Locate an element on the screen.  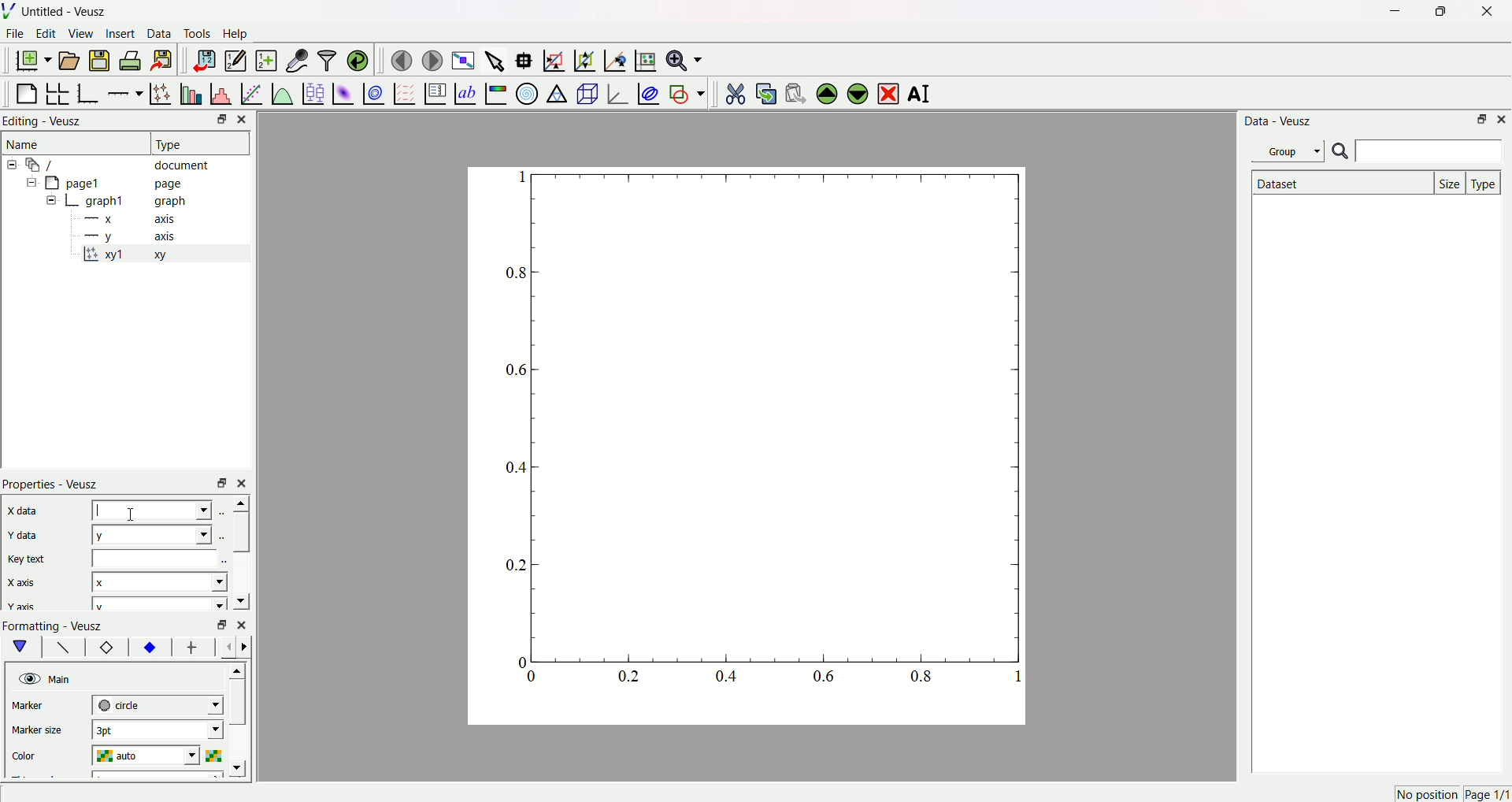
main is located at coordinates (24, 647).